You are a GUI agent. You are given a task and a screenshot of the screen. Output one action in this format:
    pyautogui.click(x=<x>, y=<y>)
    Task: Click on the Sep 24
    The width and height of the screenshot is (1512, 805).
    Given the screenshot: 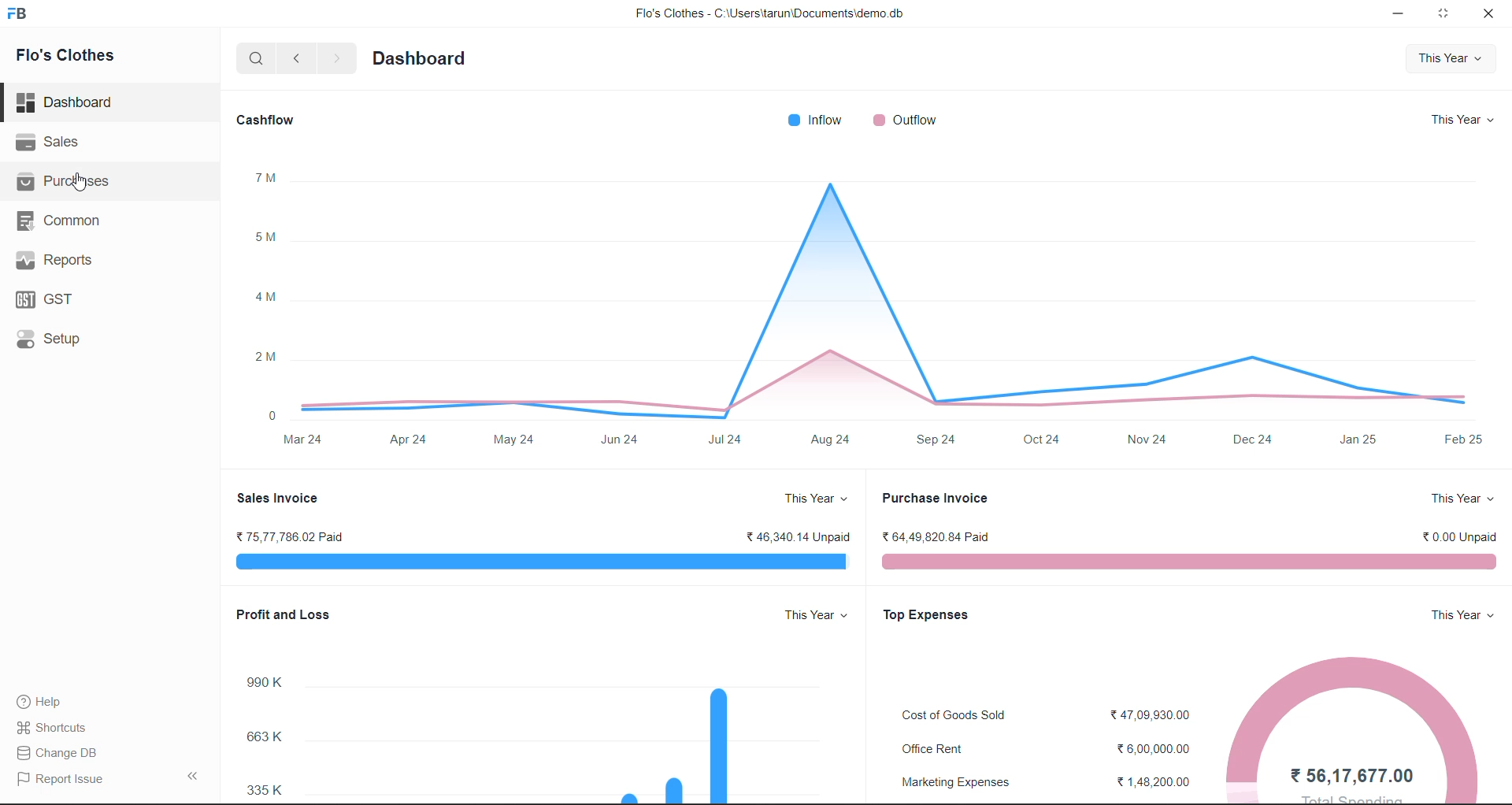 What is the action you would take?
    pyautogui.click(x=941, y=440)
    